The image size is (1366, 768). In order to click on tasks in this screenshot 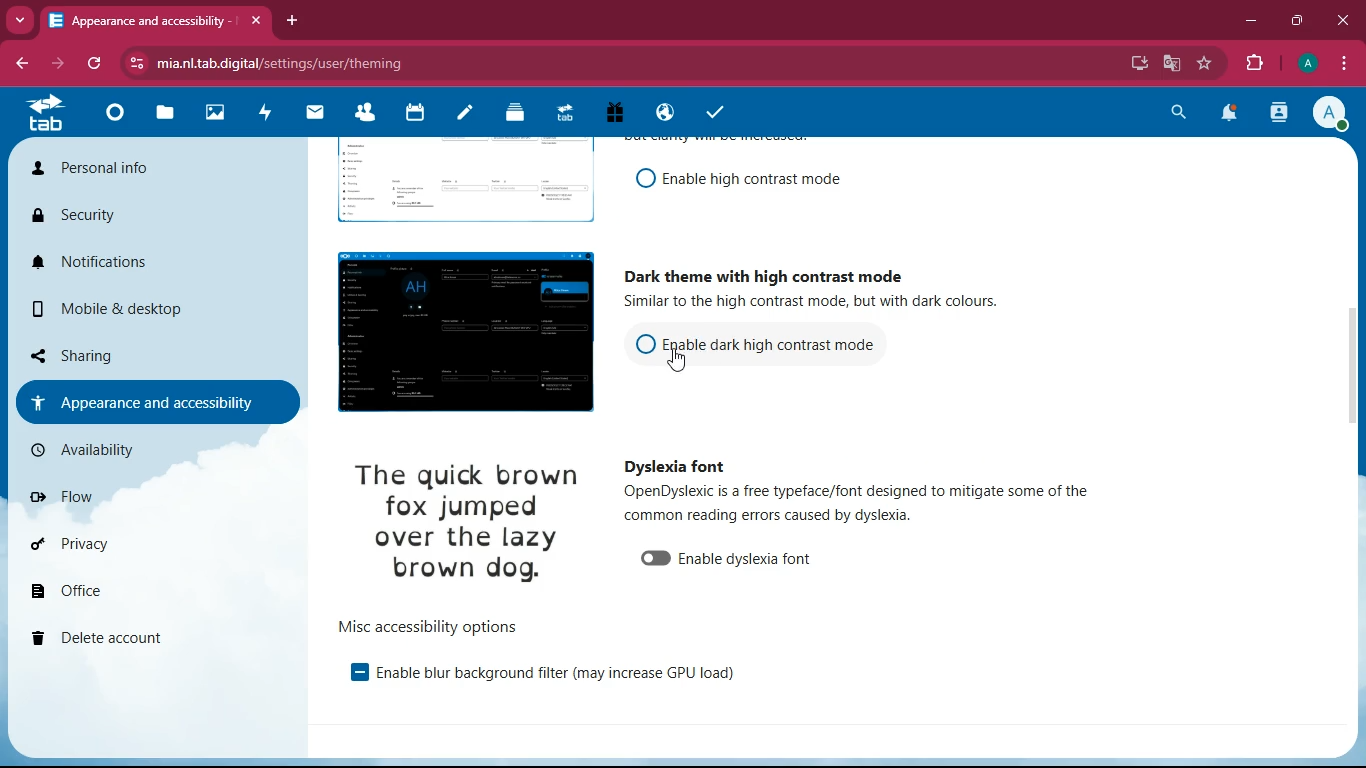, I will do `click(720, 110)`.